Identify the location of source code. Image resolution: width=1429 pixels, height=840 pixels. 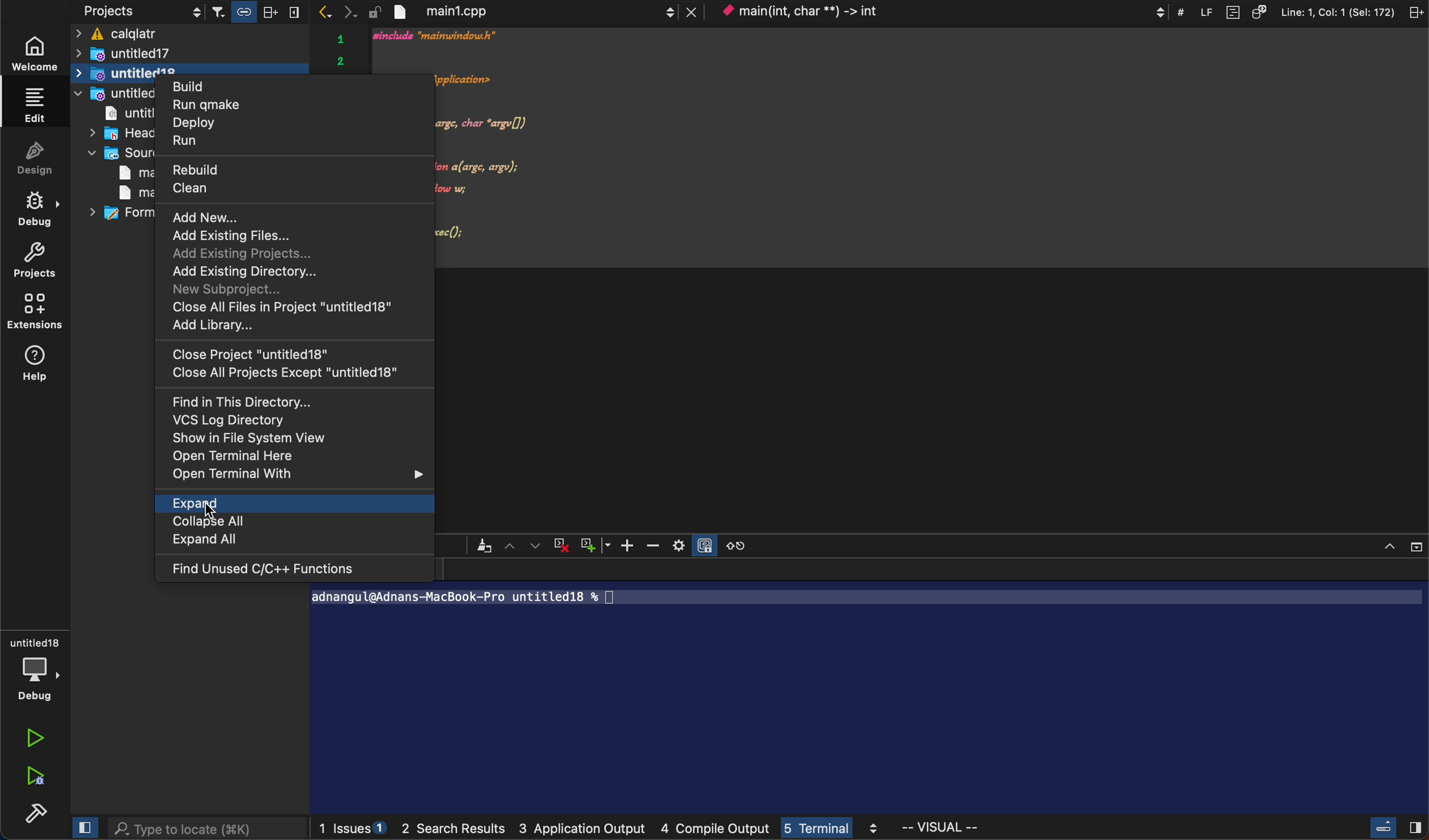
(1259, 11).